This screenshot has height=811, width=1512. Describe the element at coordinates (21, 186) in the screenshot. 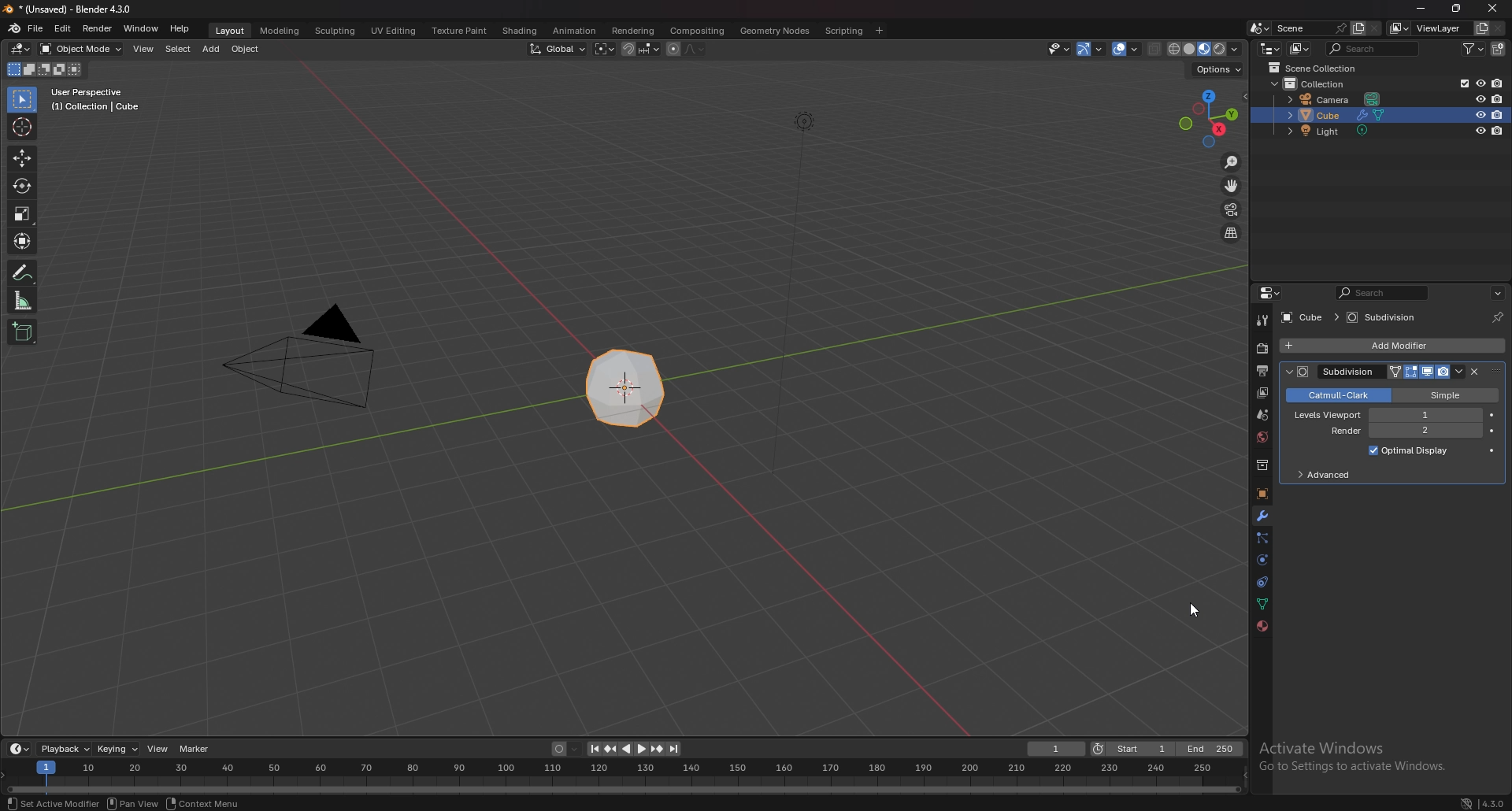

I see `rotate` at that location.